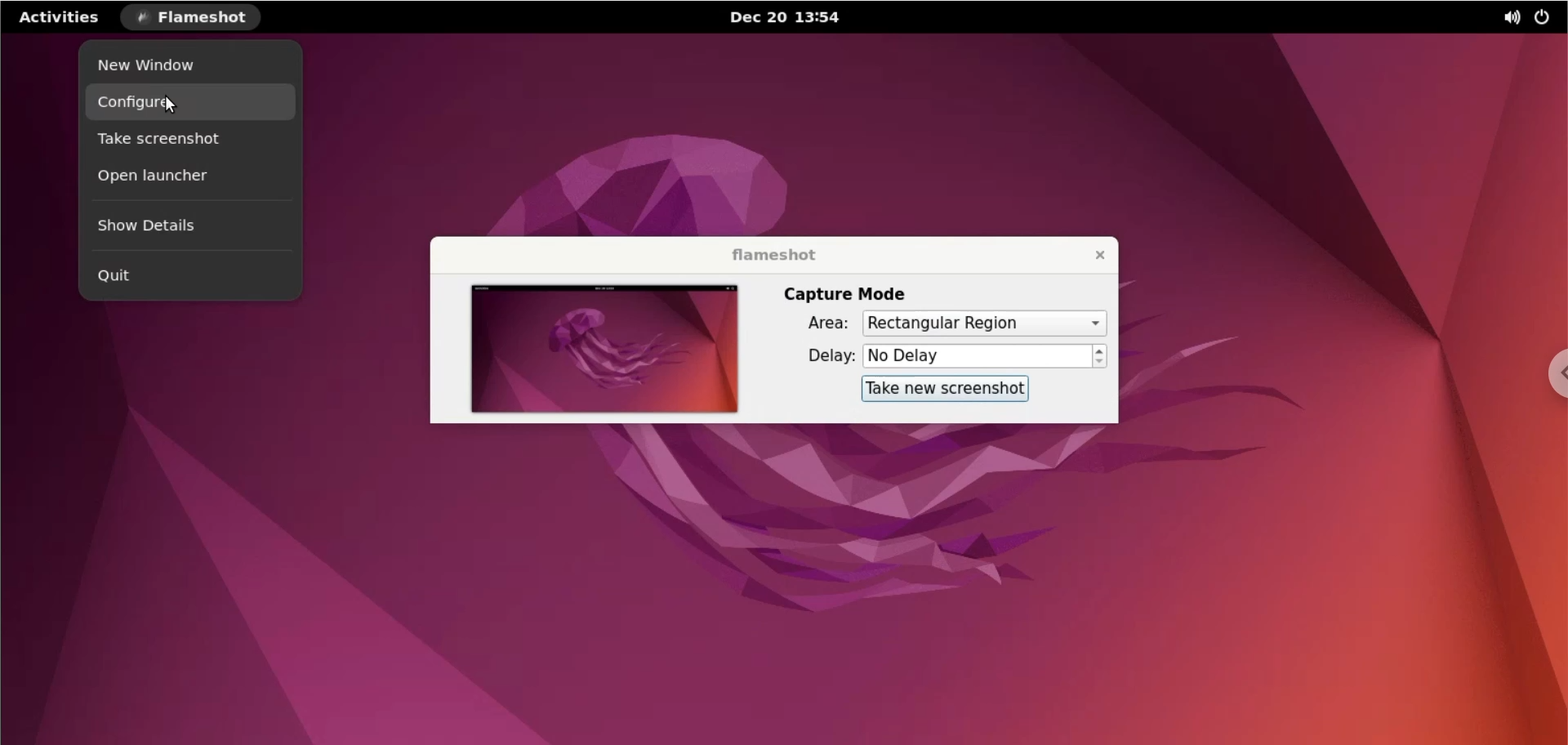 Image resolution: width=1568 pixels, height=745 pixels. I want to click on quit, so click(180, 273).